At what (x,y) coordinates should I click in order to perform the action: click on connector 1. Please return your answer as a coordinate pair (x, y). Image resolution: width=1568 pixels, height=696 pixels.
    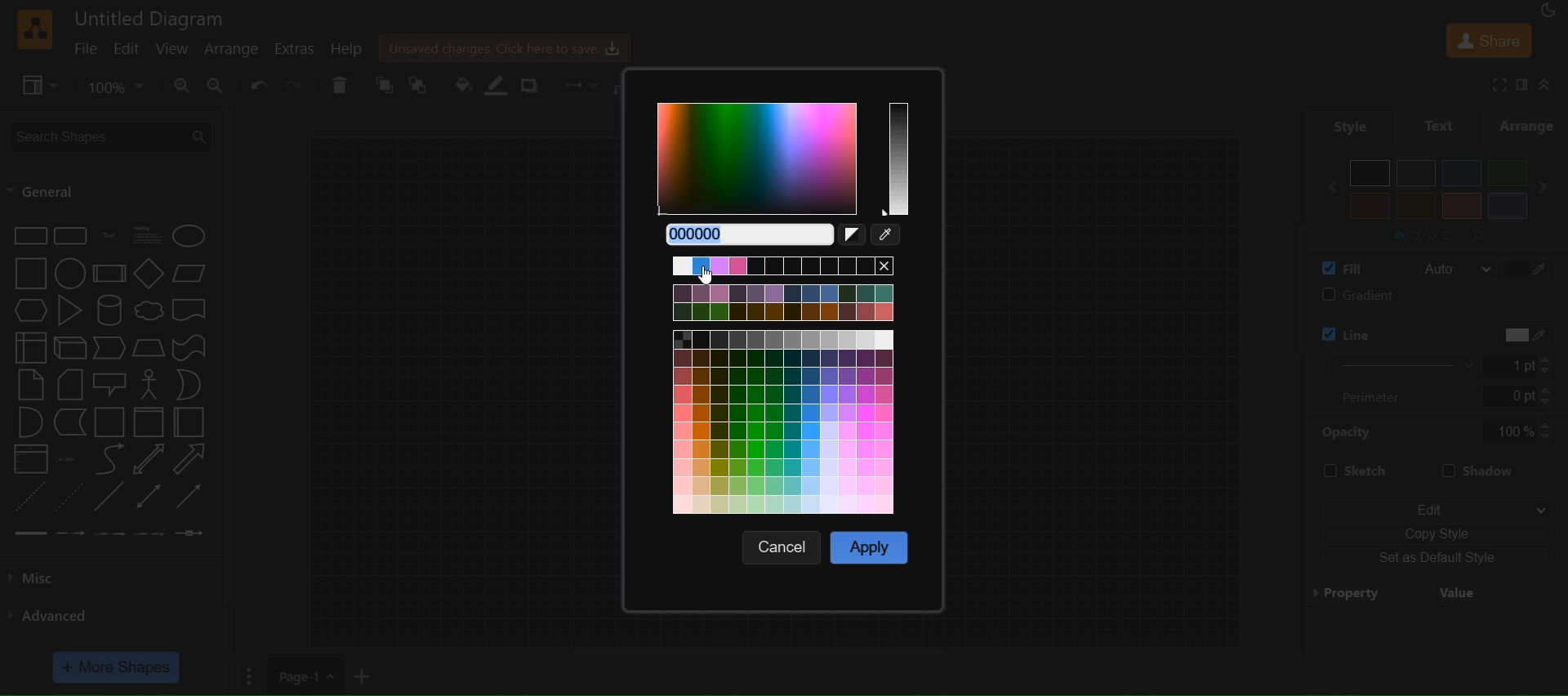
    Looking at the image, I should click on (29, 533).